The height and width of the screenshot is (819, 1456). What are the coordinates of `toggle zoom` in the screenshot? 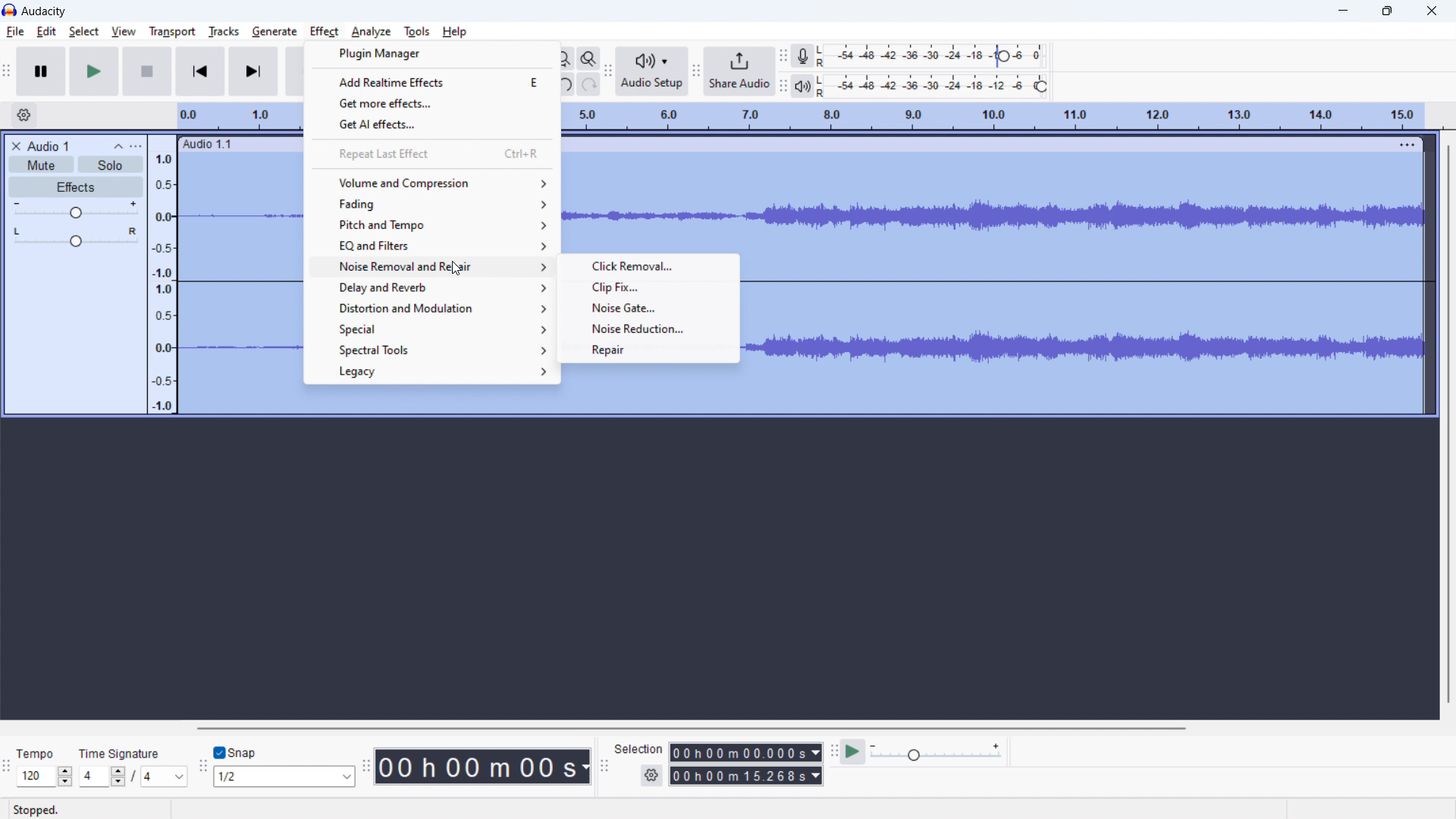 It's located at (588, 58).